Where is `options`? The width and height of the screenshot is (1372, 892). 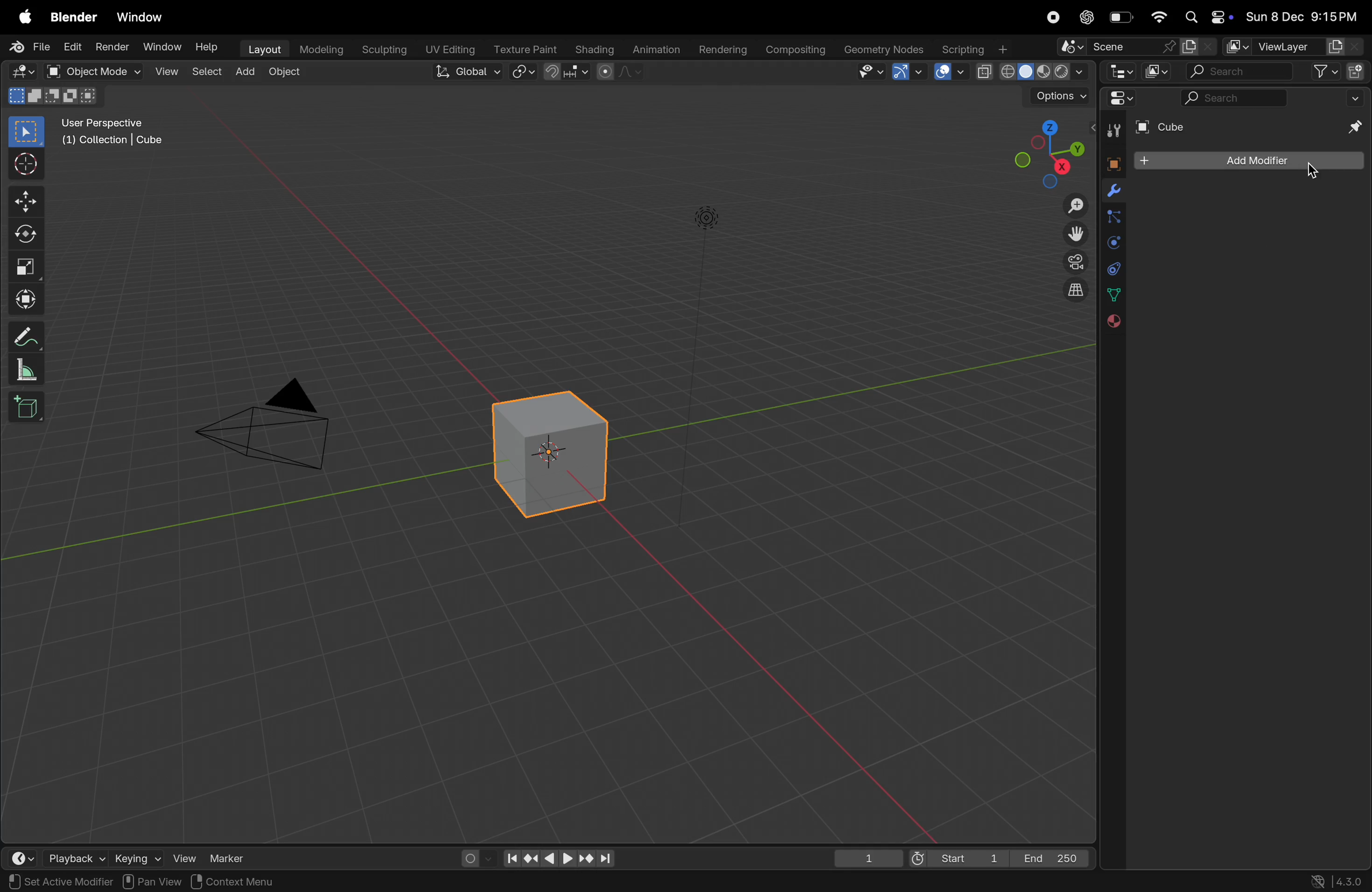
options is located at coordinates (1058, 97).